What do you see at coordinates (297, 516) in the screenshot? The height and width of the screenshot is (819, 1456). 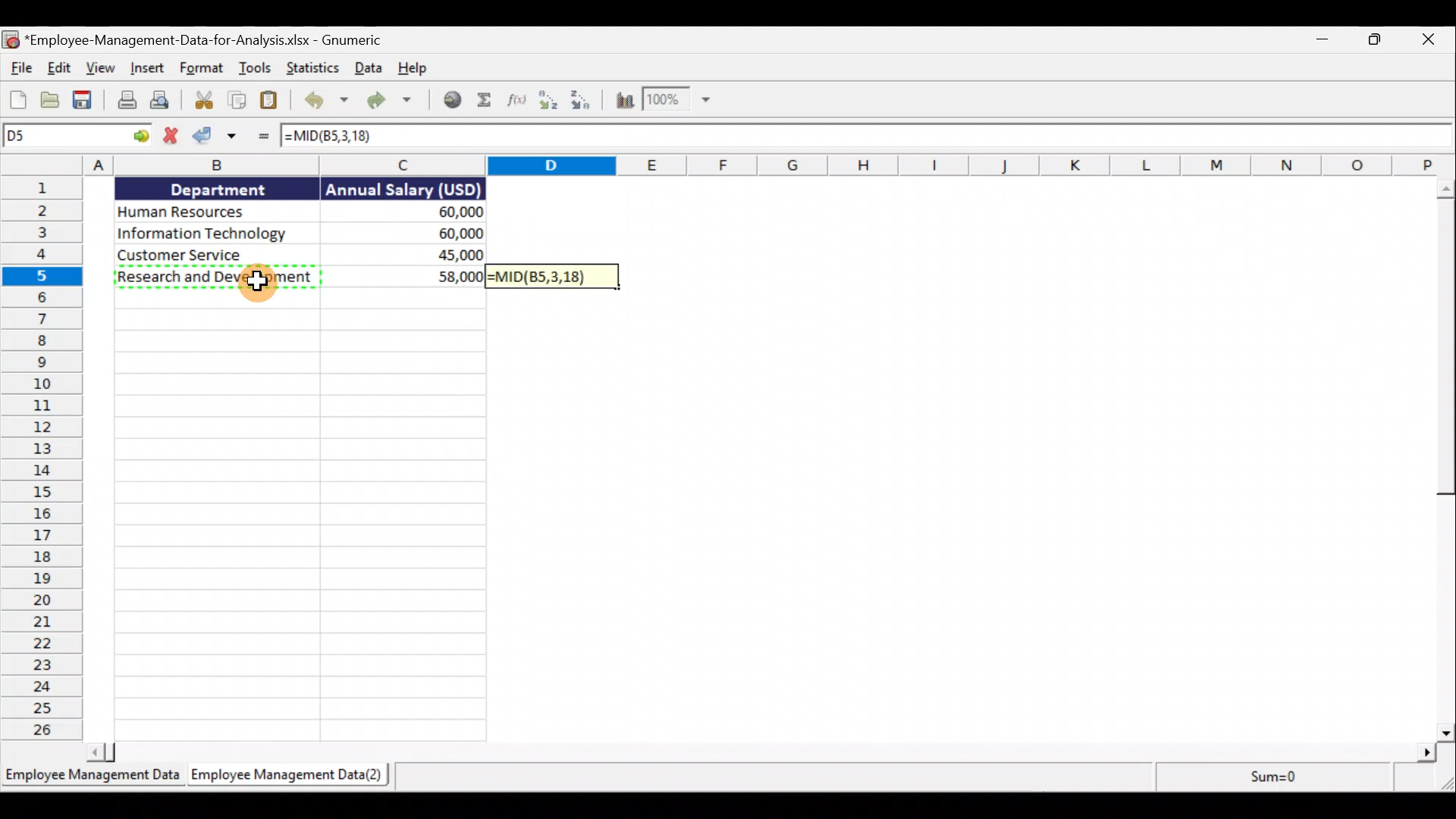 I see `Cells` at bounding box center [297, 516].